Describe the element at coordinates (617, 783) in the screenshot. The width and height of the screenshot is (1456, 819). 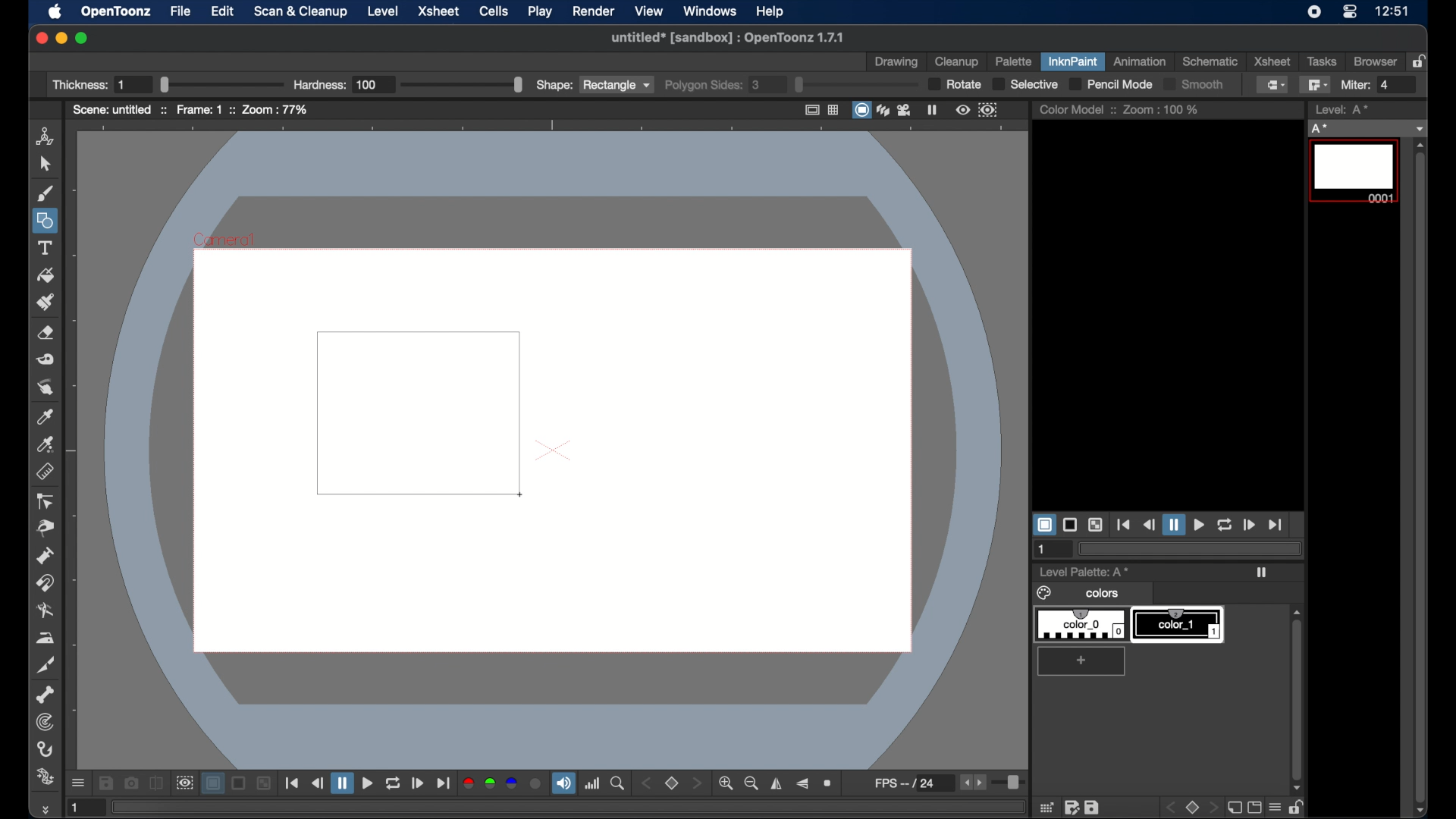
I see `locator` at that location.